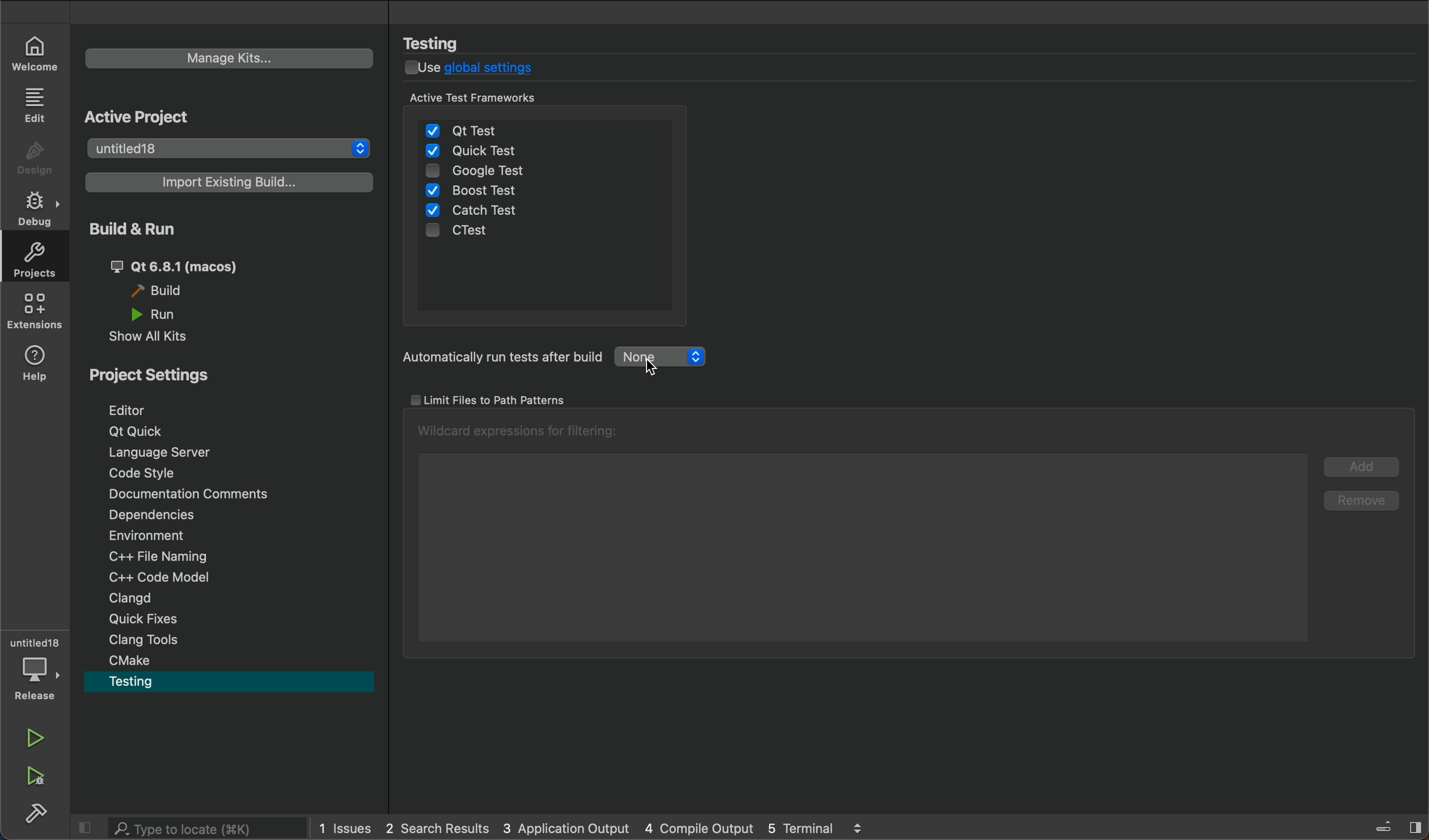 This screenshot has height=840, width=1429. I want to click on testing, so click(443, 43).